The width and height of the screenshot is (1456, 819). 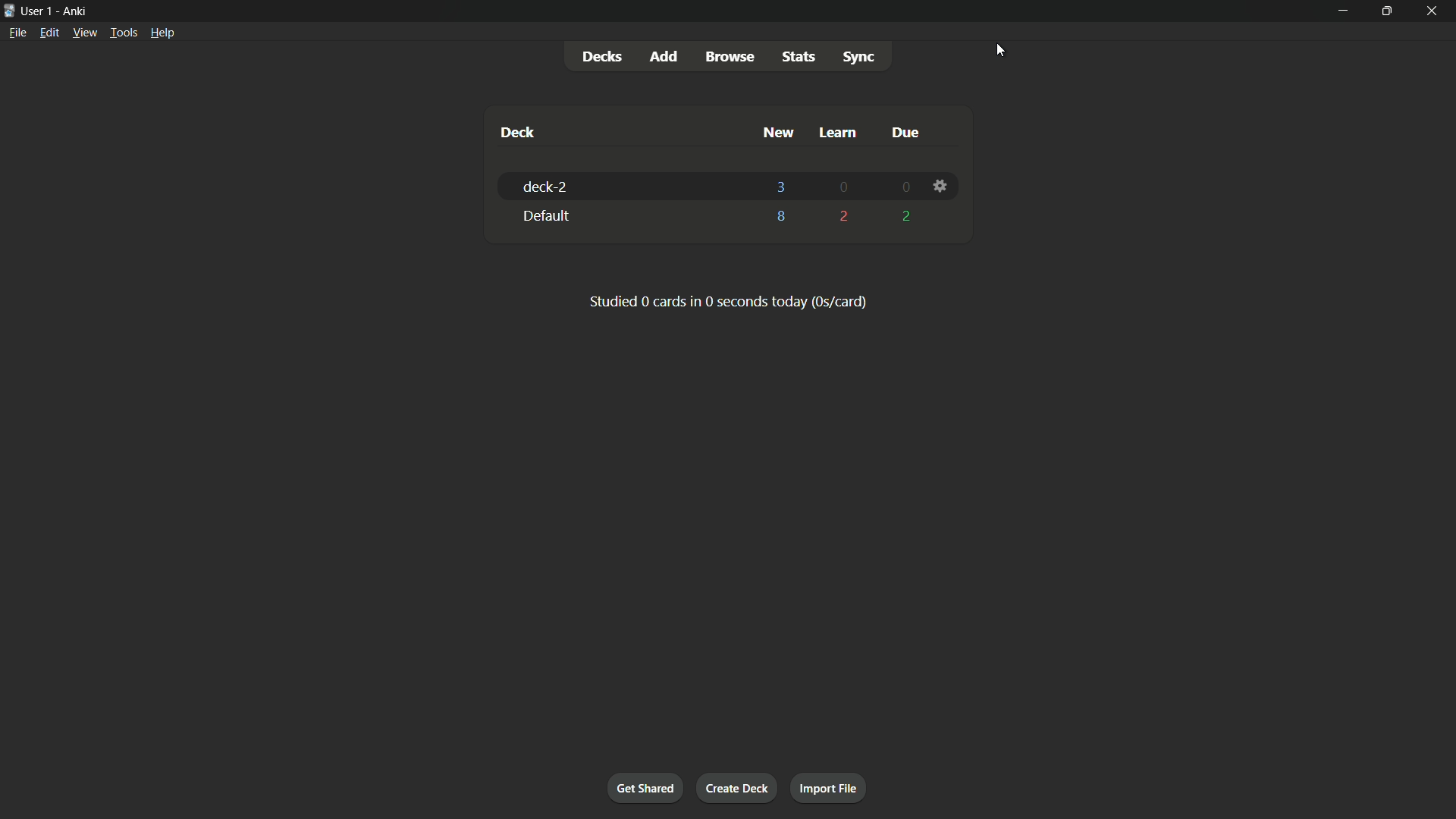 What do you see at coordinates (781, 220) in the screenshot?
I see `8` at bounding box center [781, 220].